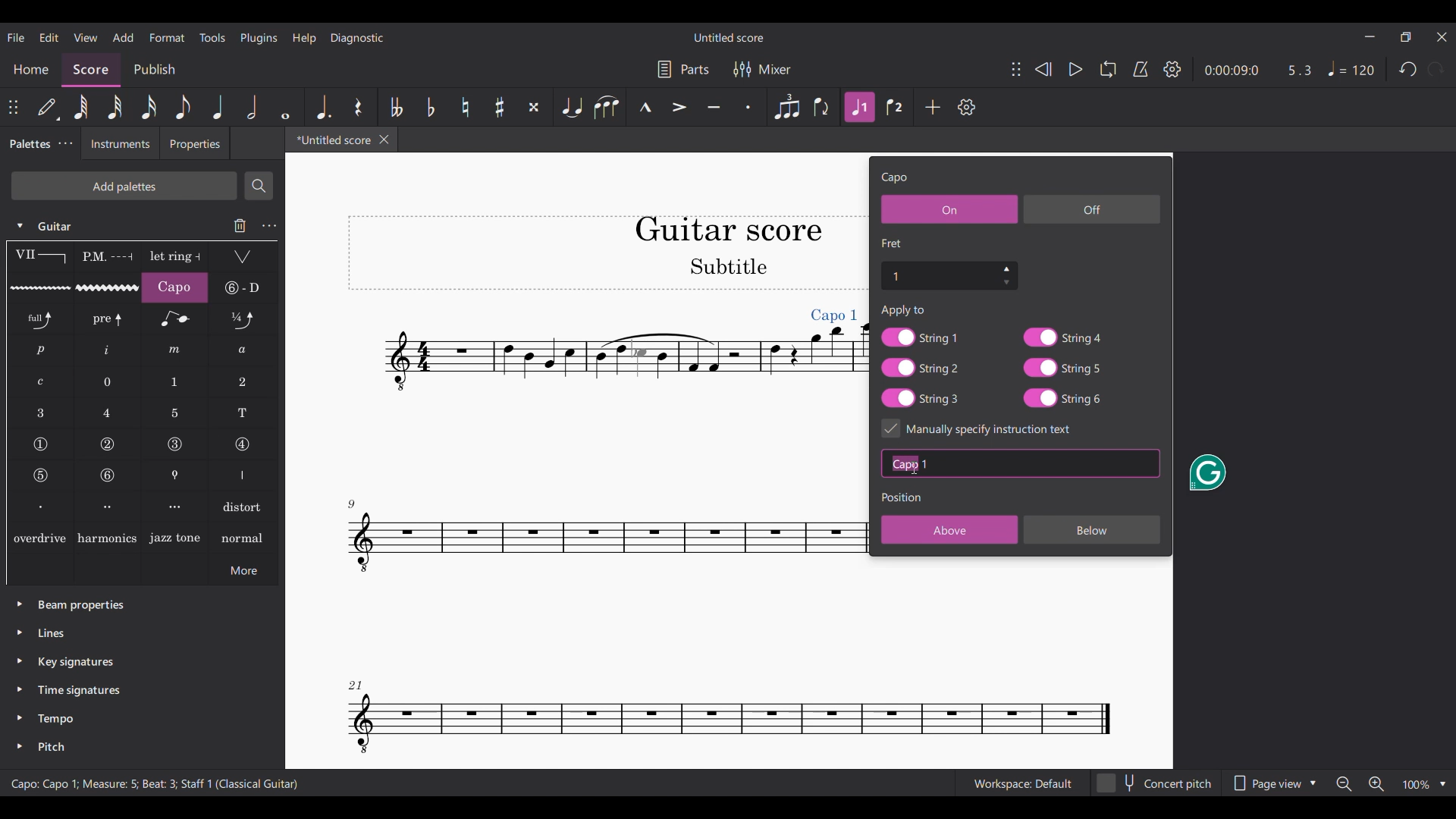 The image size is (1456, 819). Describe the element at coordinates (1062, 337) in the screenshot. I see `String 4 toggle` at that location.